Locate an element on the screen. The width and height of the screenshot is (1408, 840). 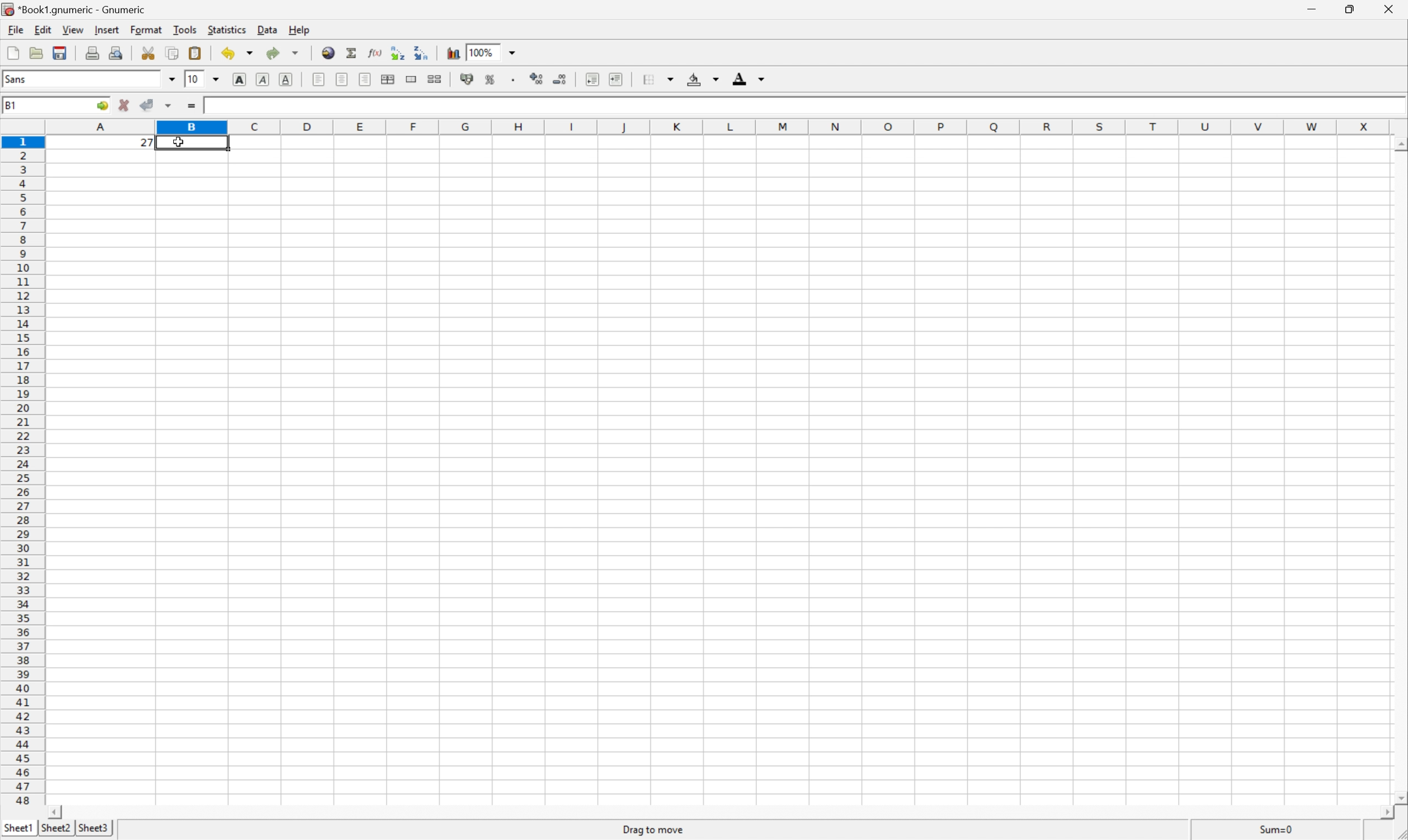
Merge a range of cells is located at coordinates (409, 80).